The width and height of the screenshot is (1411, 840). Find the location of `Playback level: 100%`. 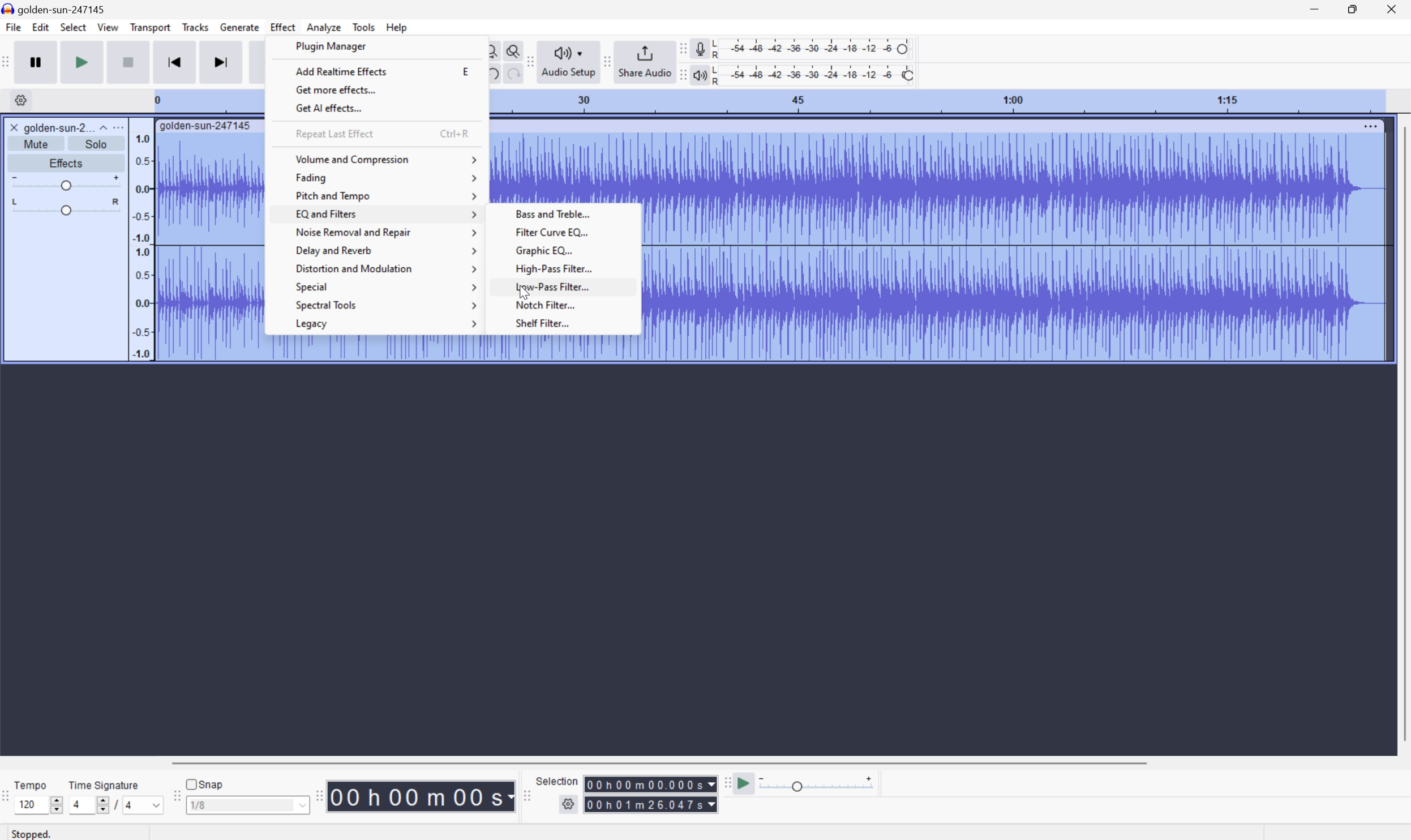

Playback level: 100% is located at coordinates (812, 74).